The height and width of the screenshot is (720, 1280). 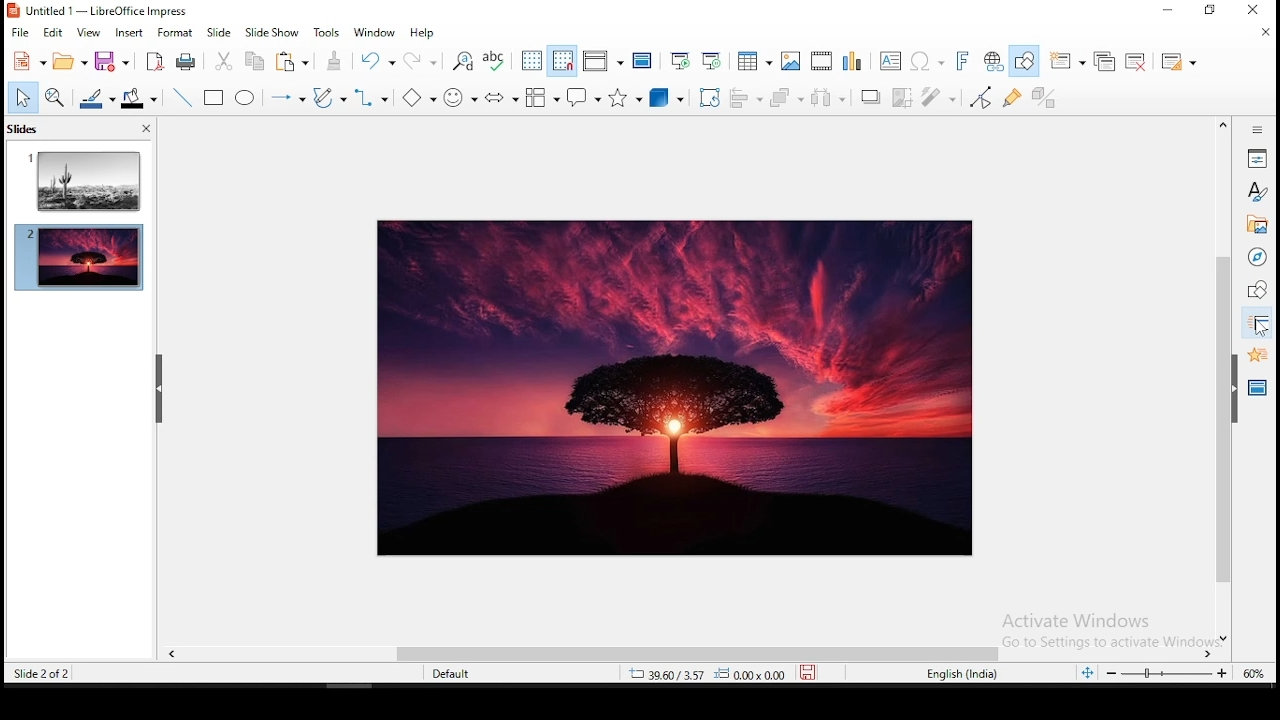 I want to click on minimize, so click(x=1170, y=11).